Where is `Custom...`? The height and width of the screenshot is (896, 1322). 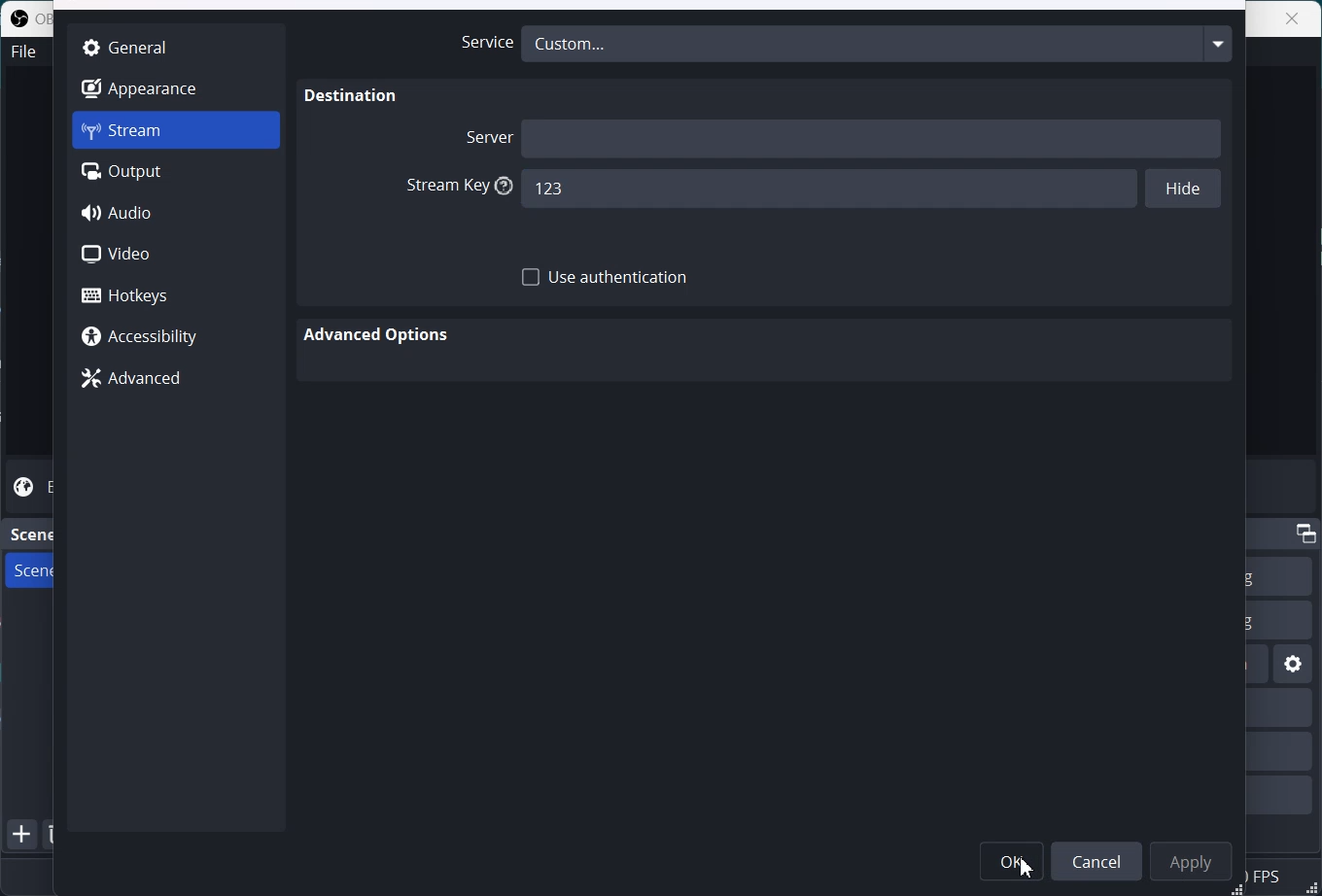
Custom... is located at coordinates (877, 43).